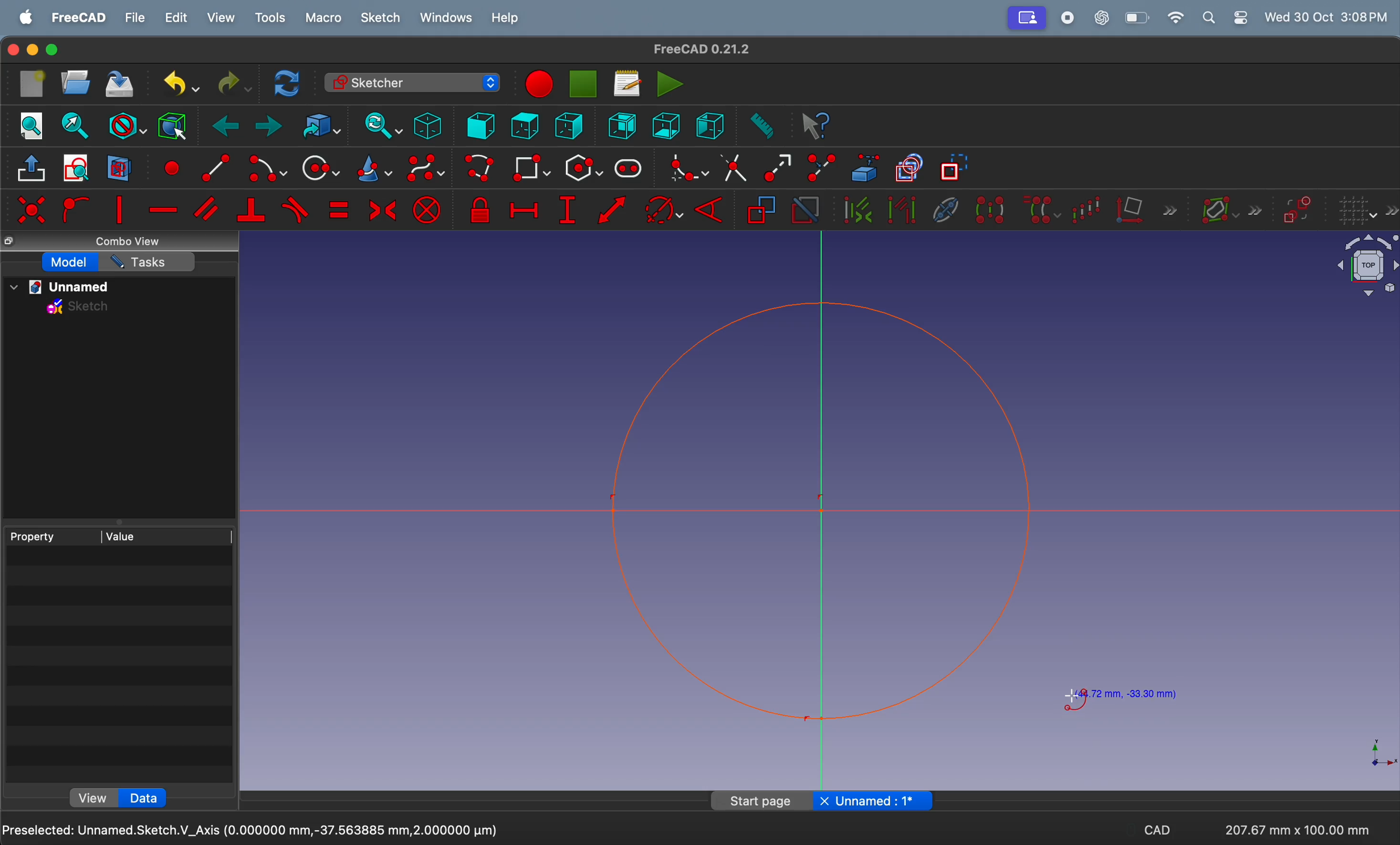  What do you see at coordinates (710, 124) in the screenshot?
I see `right view` at bounding box center [710, 124].